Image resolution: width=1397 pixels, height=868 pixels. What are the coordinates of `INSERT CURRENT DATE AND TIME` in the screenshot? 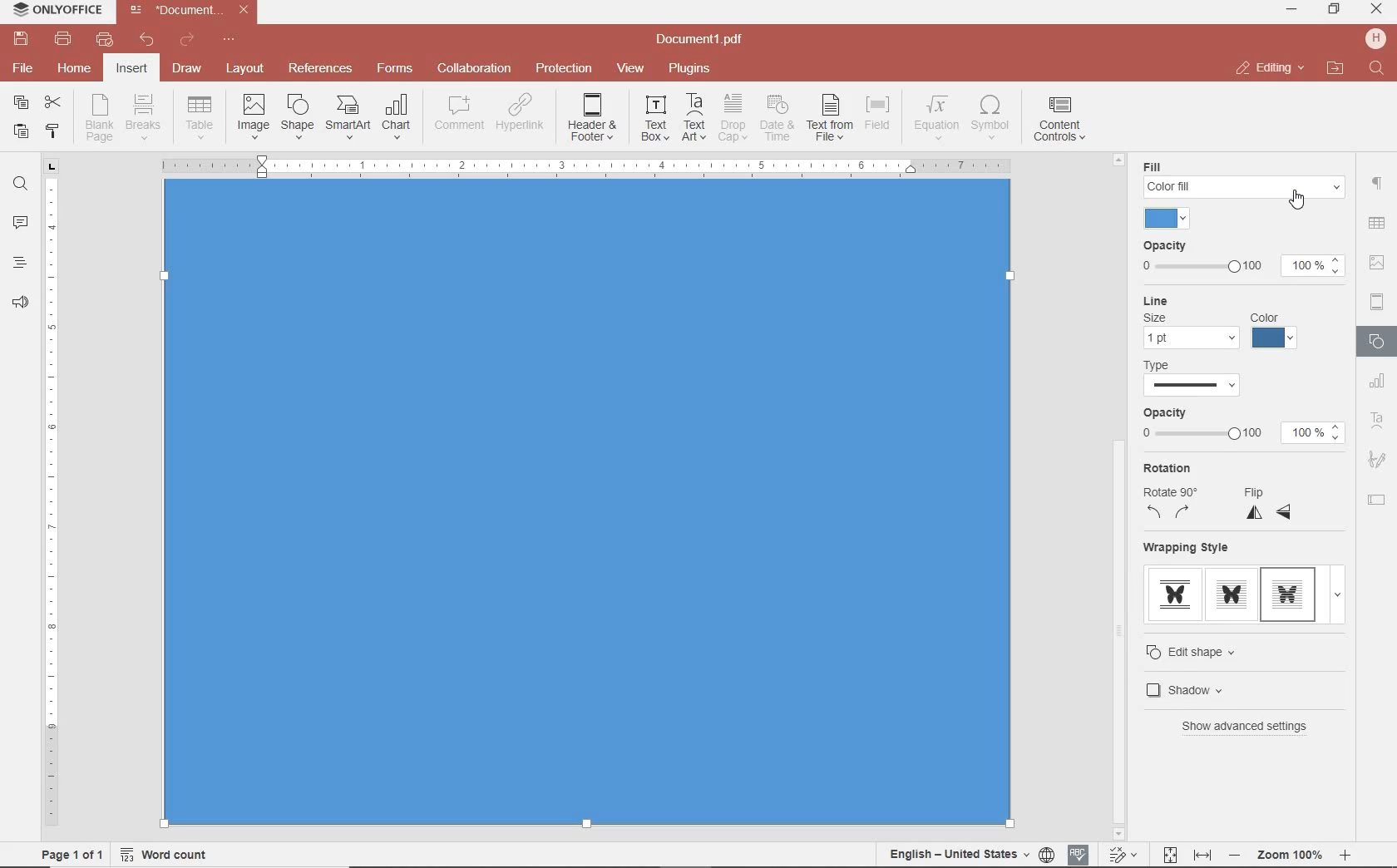 It's located at (775, 119).